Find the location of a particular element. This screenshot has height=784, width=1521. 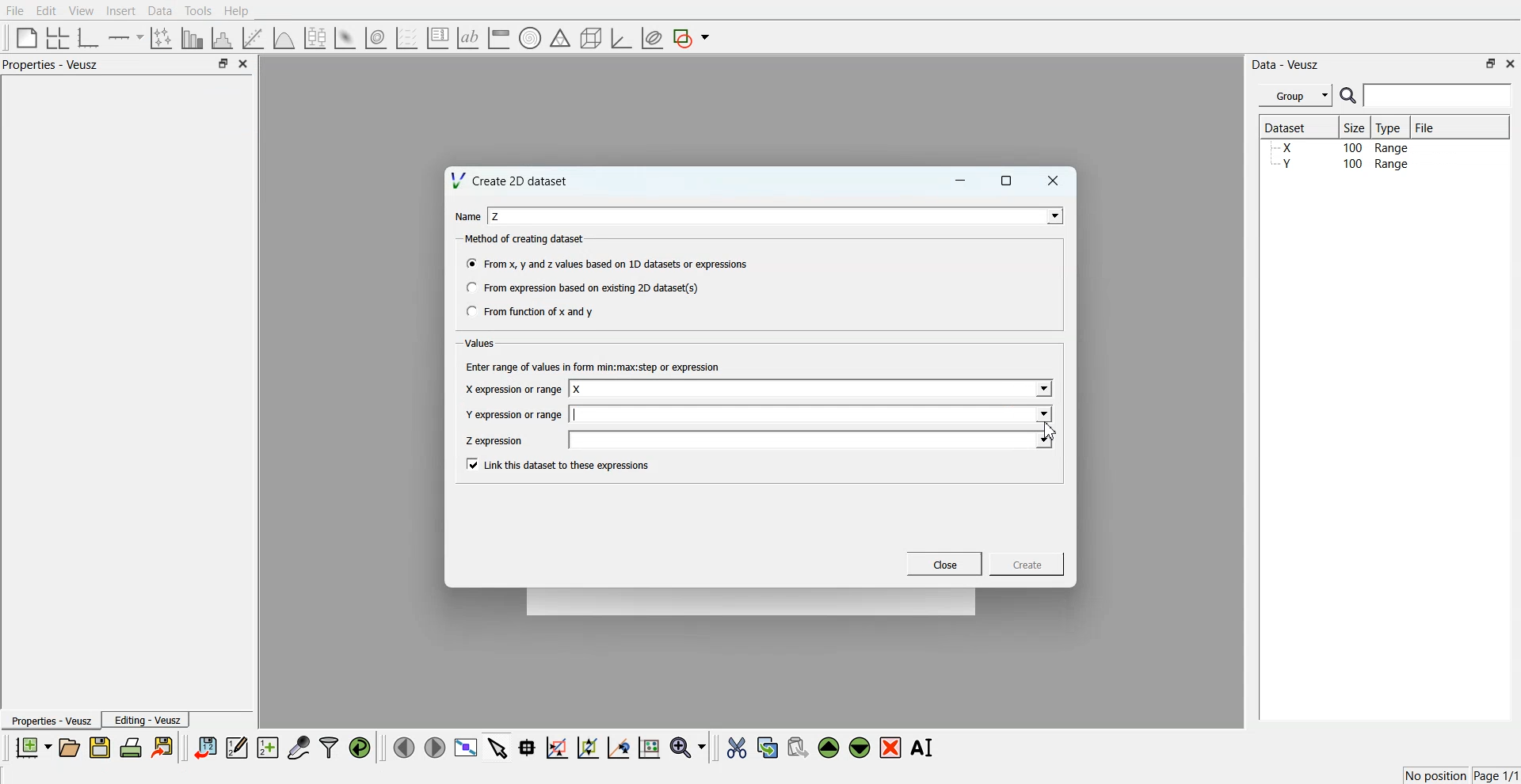

Properties - Veusz is located at coordinates (51, 64).